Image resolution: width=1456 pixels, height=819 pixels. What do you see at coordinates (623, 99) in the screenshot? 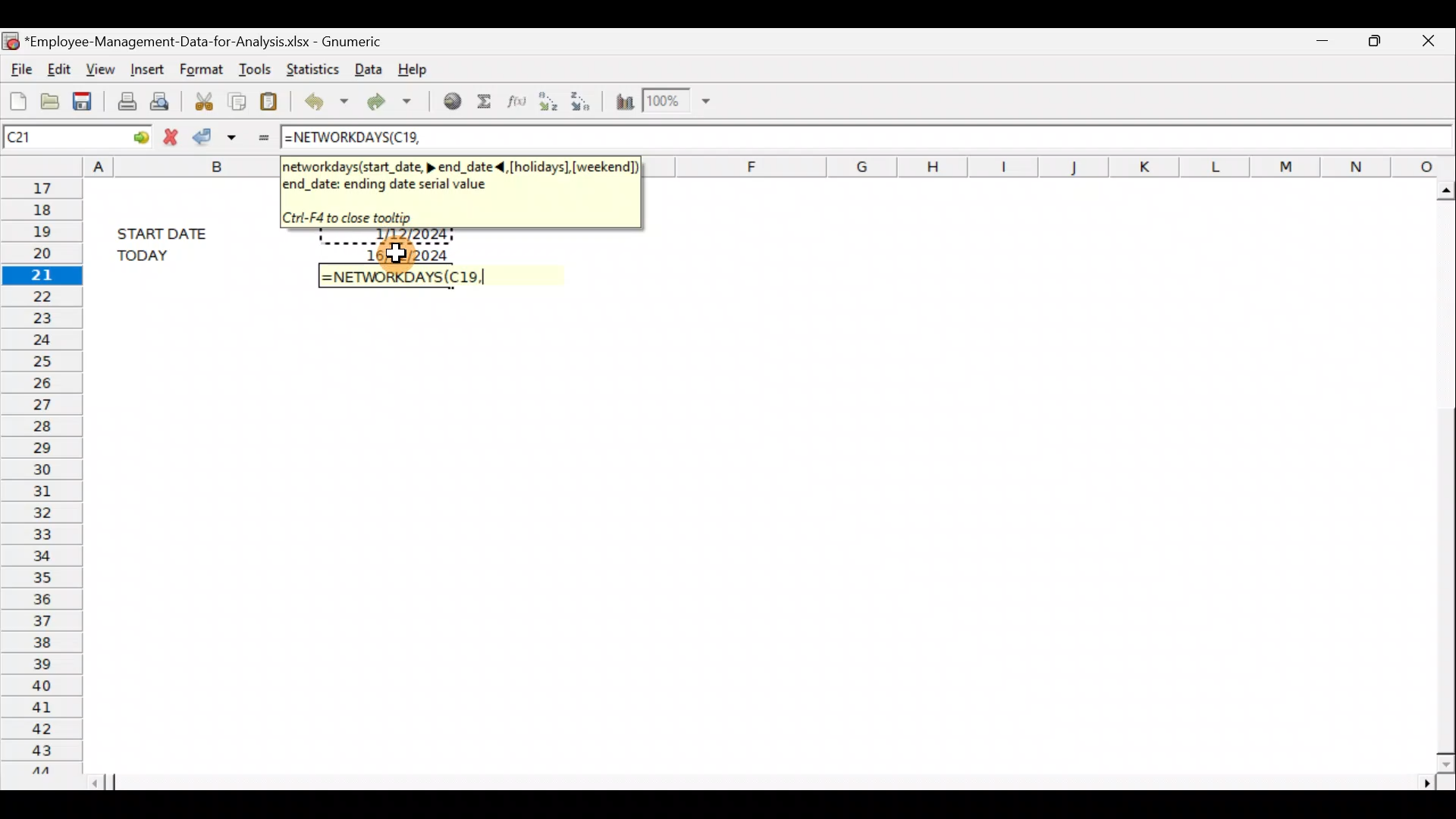
I see `Insert a chart` at bounding box center [623, 99].